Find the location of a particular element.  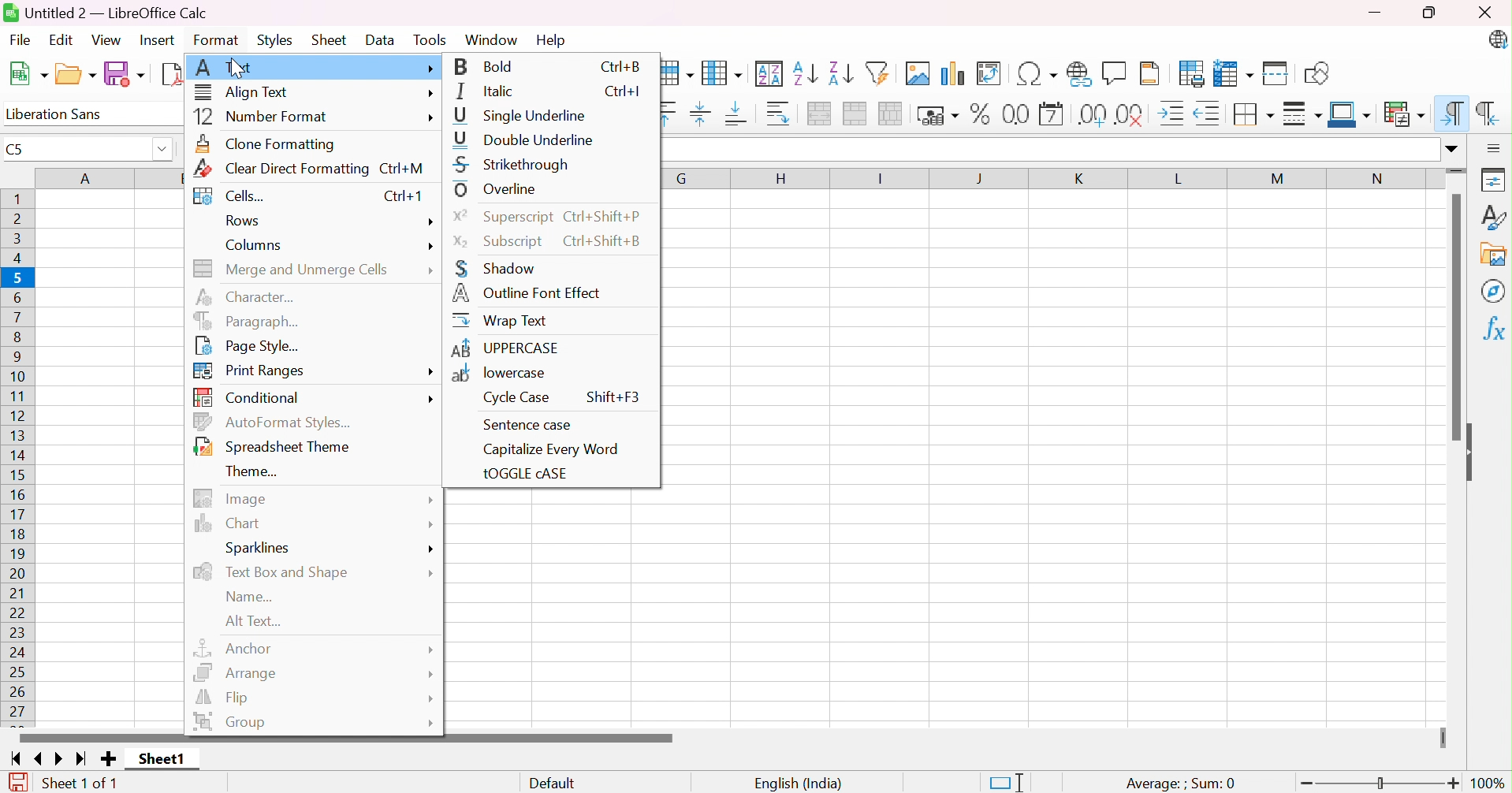

UPPERCASE is located at coordinates (505, 347).